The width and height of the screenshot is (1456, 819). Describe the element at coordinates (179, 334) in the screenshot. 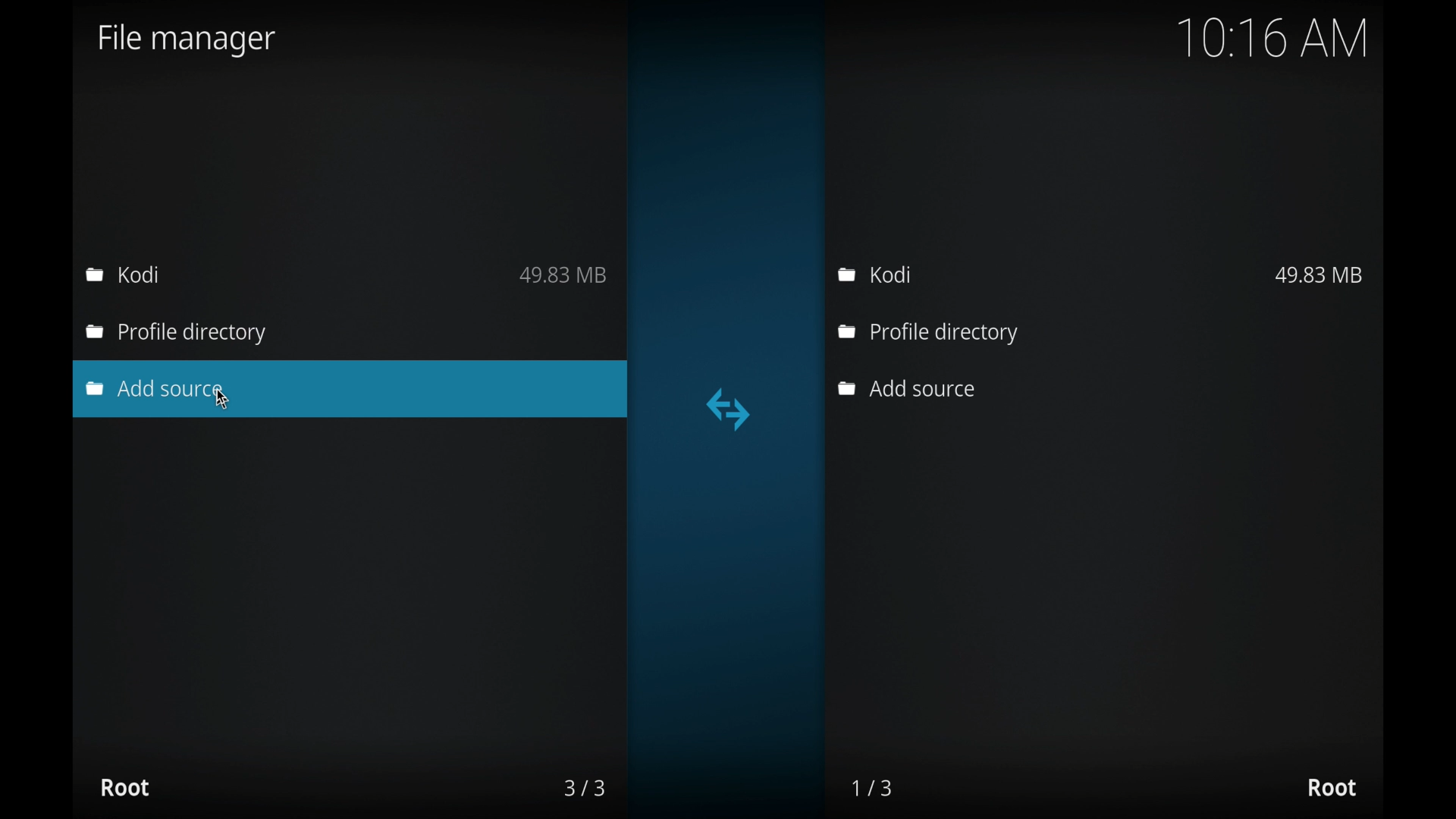

I see `profile directory` at that location.